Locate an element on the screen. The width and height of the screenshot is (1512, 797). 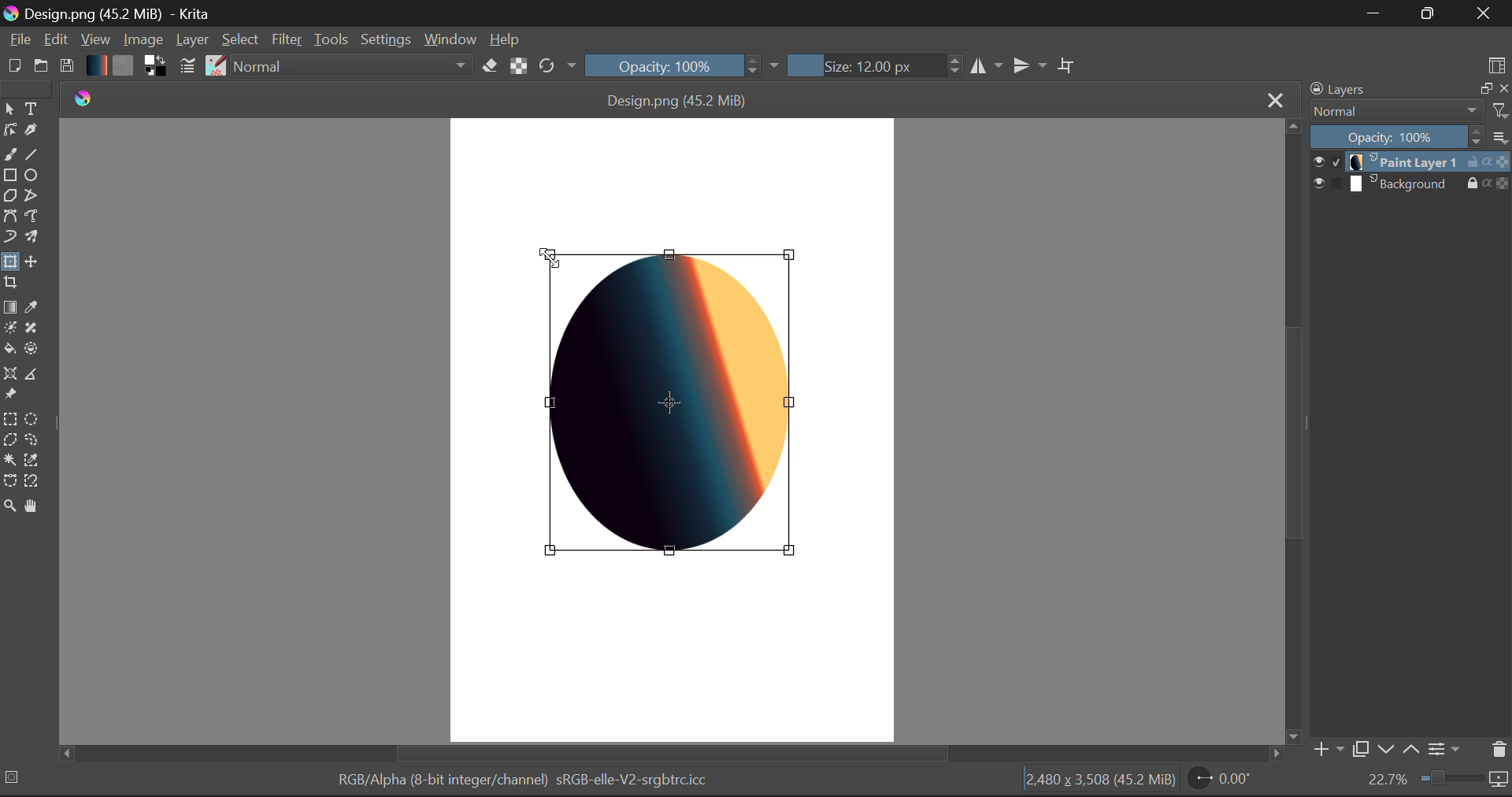
Similar color Selector is located at coordinates (32, 461).